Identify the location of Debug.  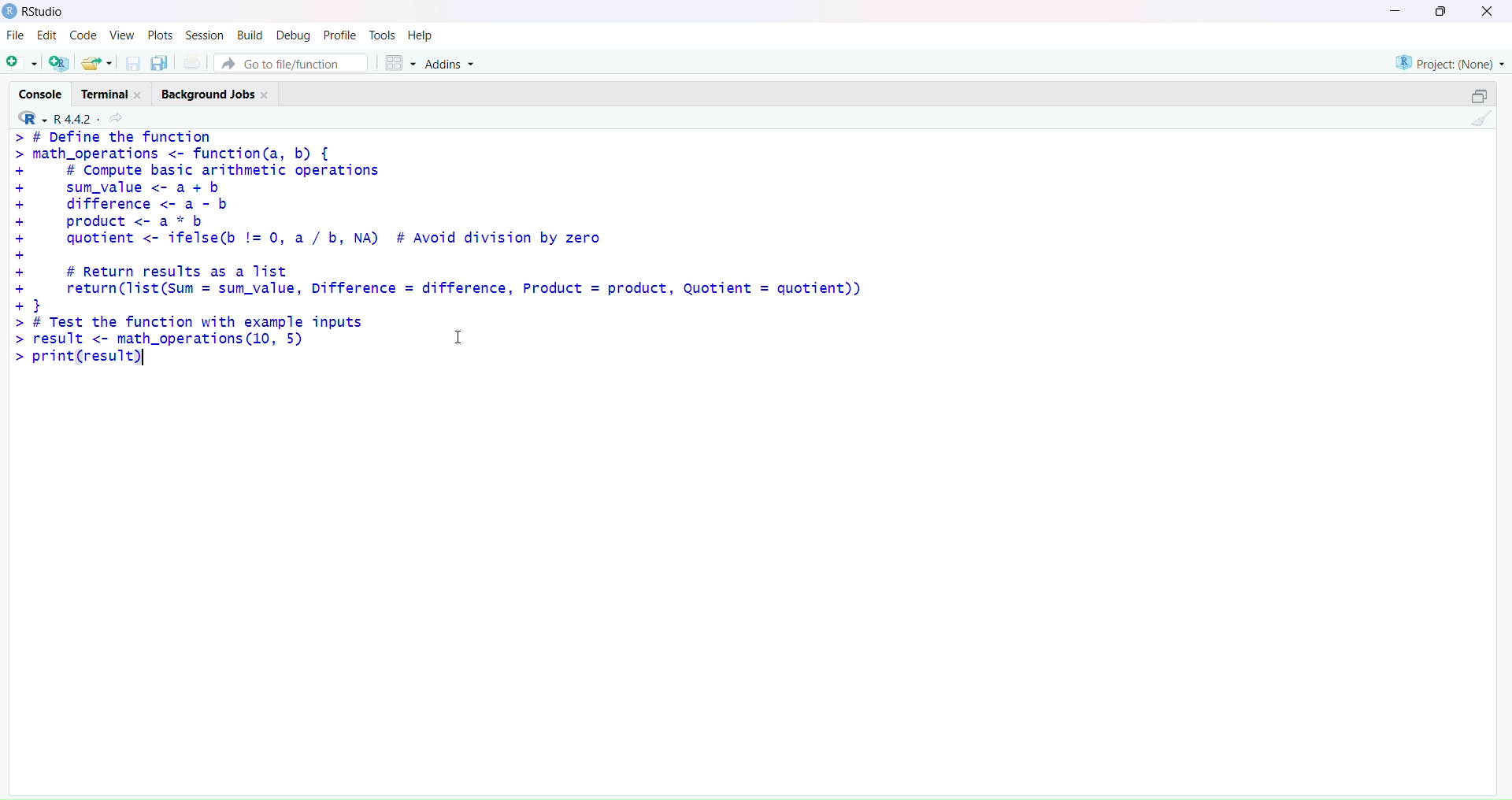
(291, 34).